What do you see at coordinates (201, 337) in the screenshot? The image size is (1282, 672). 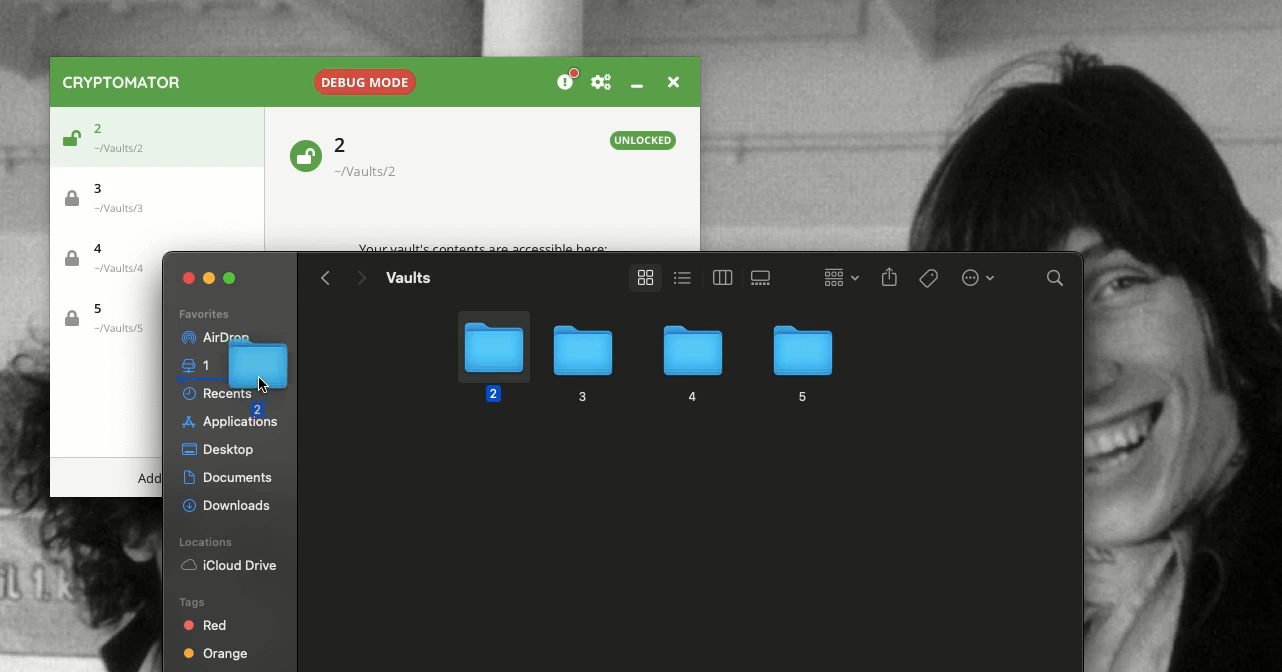 I see `Airdrop` at bounding box center [201, 337].